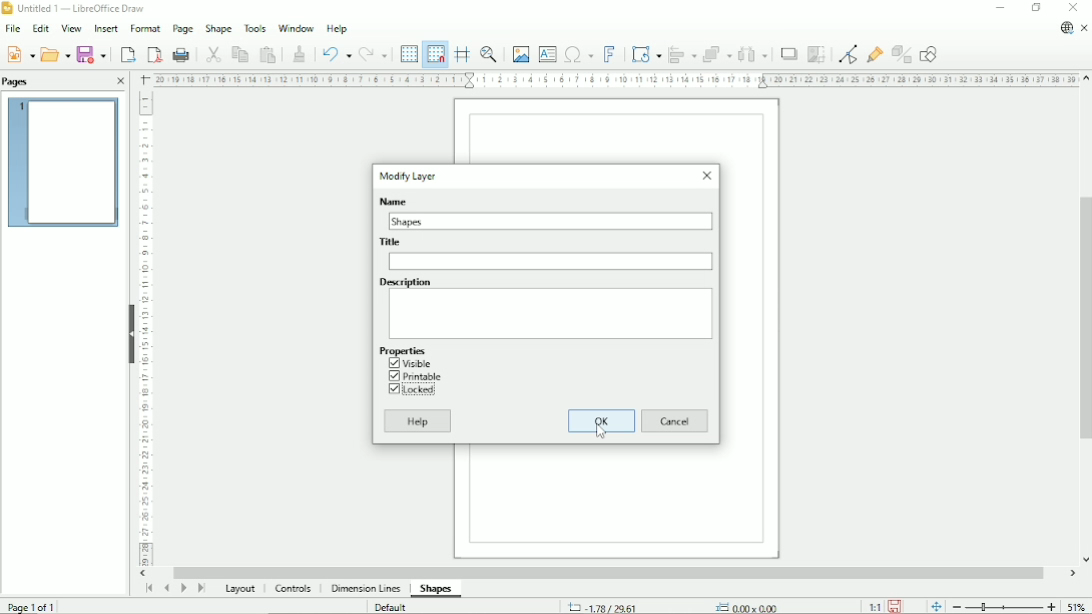 Image resolution: width=1092 pixels, height=614 pixels. Describe the element at coordinates (1036, 8) in the screenshot. I see `Restore down` at that location.